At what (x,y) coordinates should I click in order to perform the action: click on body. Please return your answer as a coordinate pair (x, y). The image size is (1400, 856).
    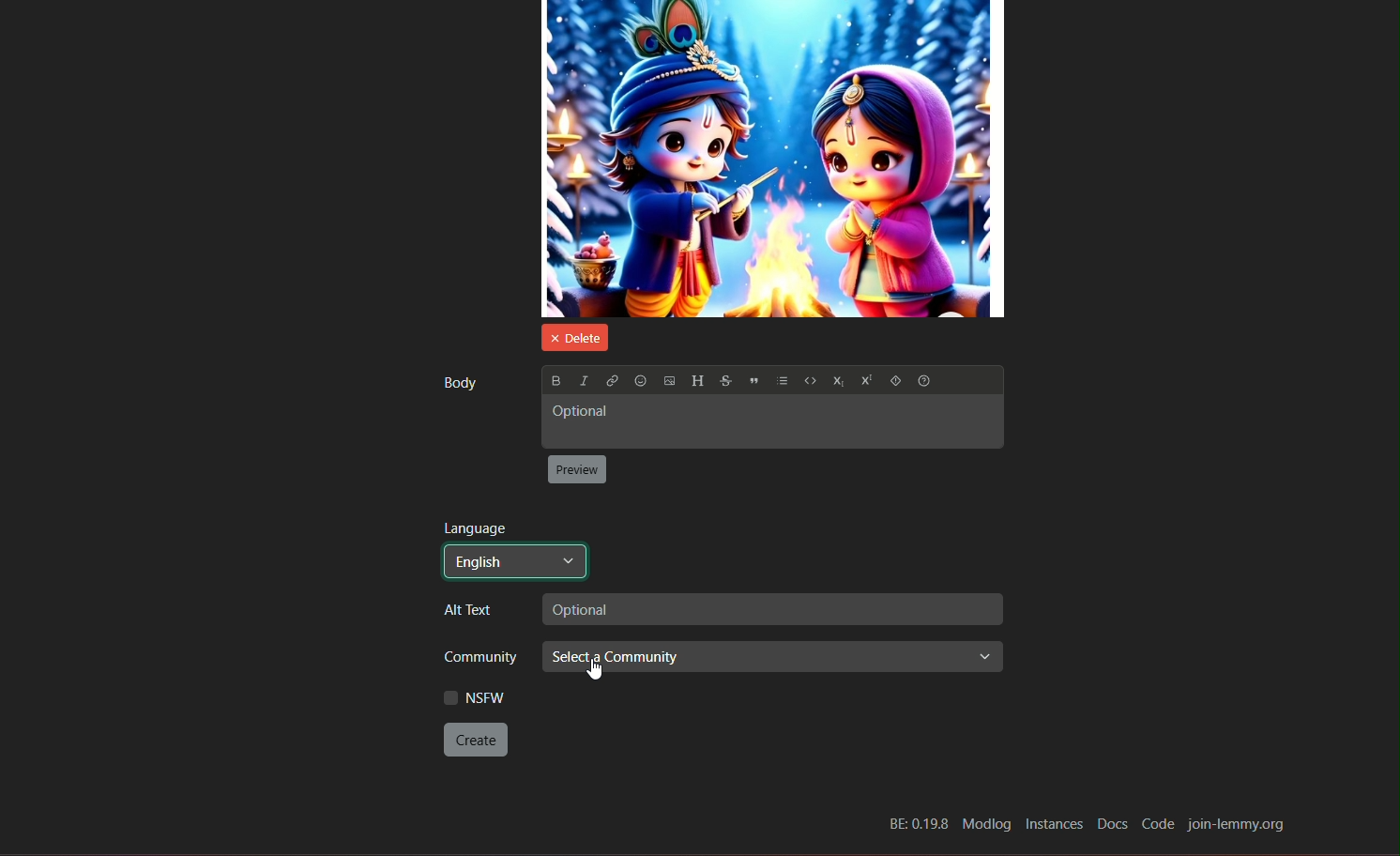
    Looking at the image, I should click on (458, 382).